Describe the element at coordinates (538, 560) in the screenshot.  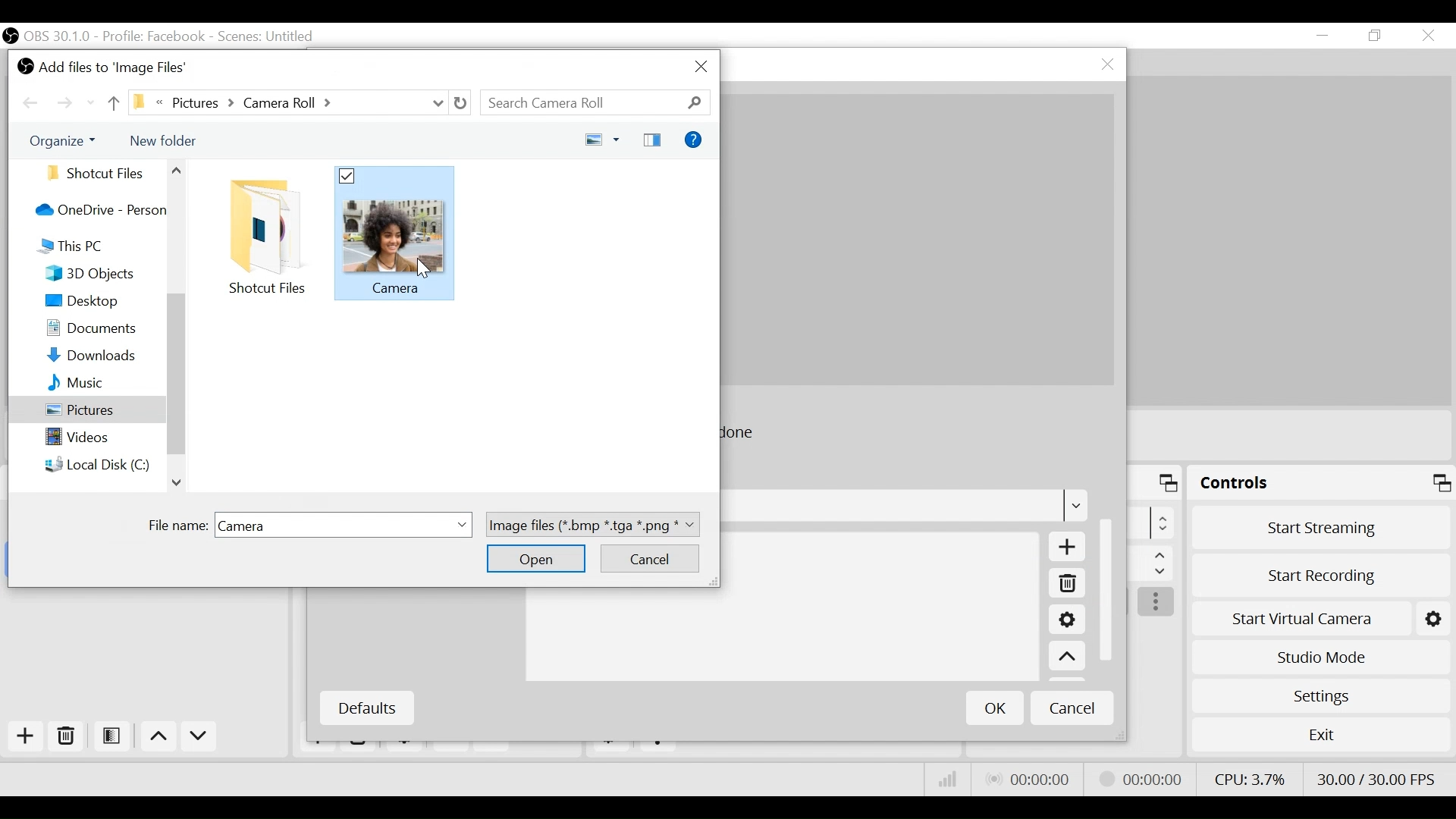
I see `Open` at that location.